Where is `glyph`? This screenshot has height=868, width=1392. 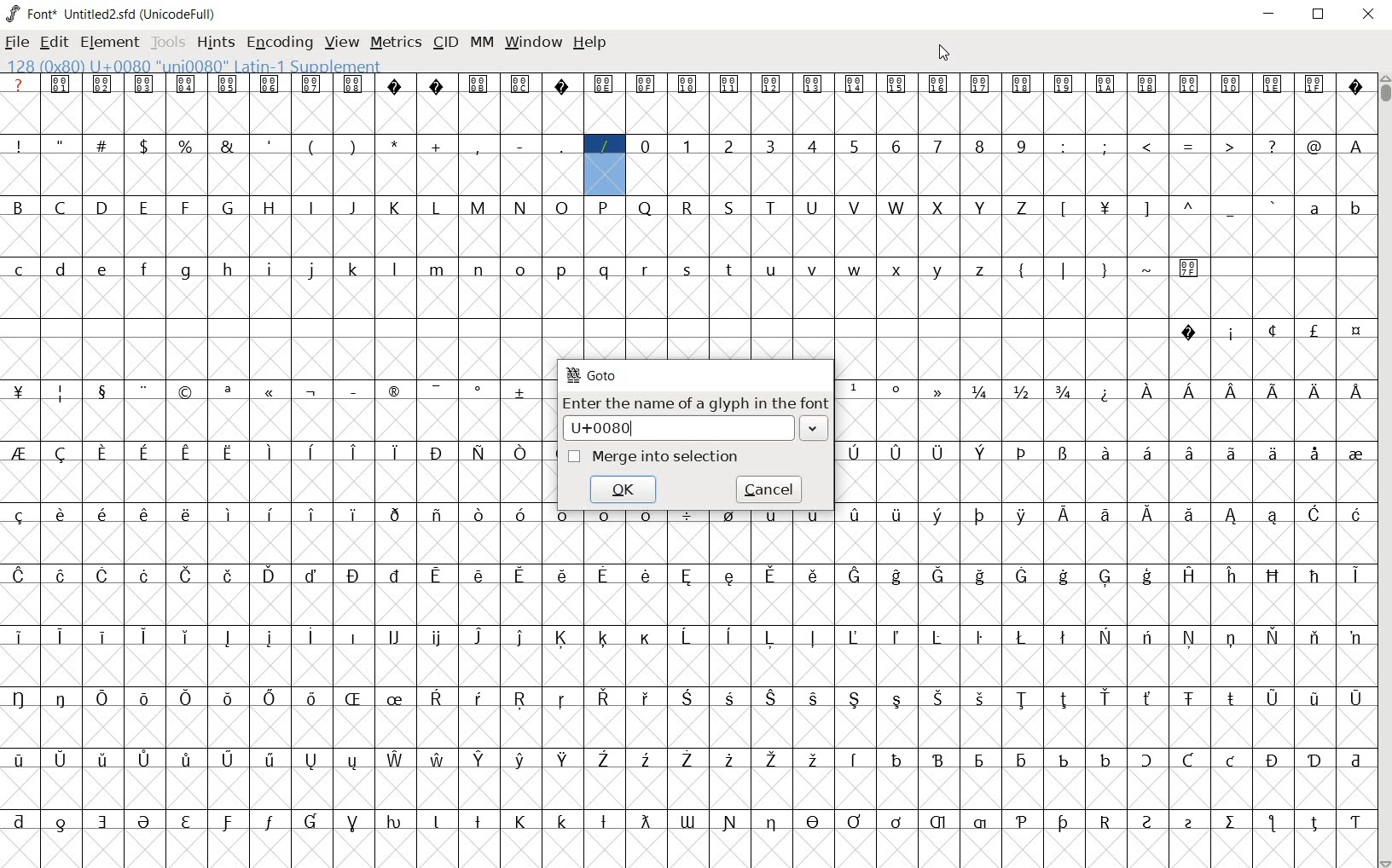 glyph is located at coordinates (1106, 578).